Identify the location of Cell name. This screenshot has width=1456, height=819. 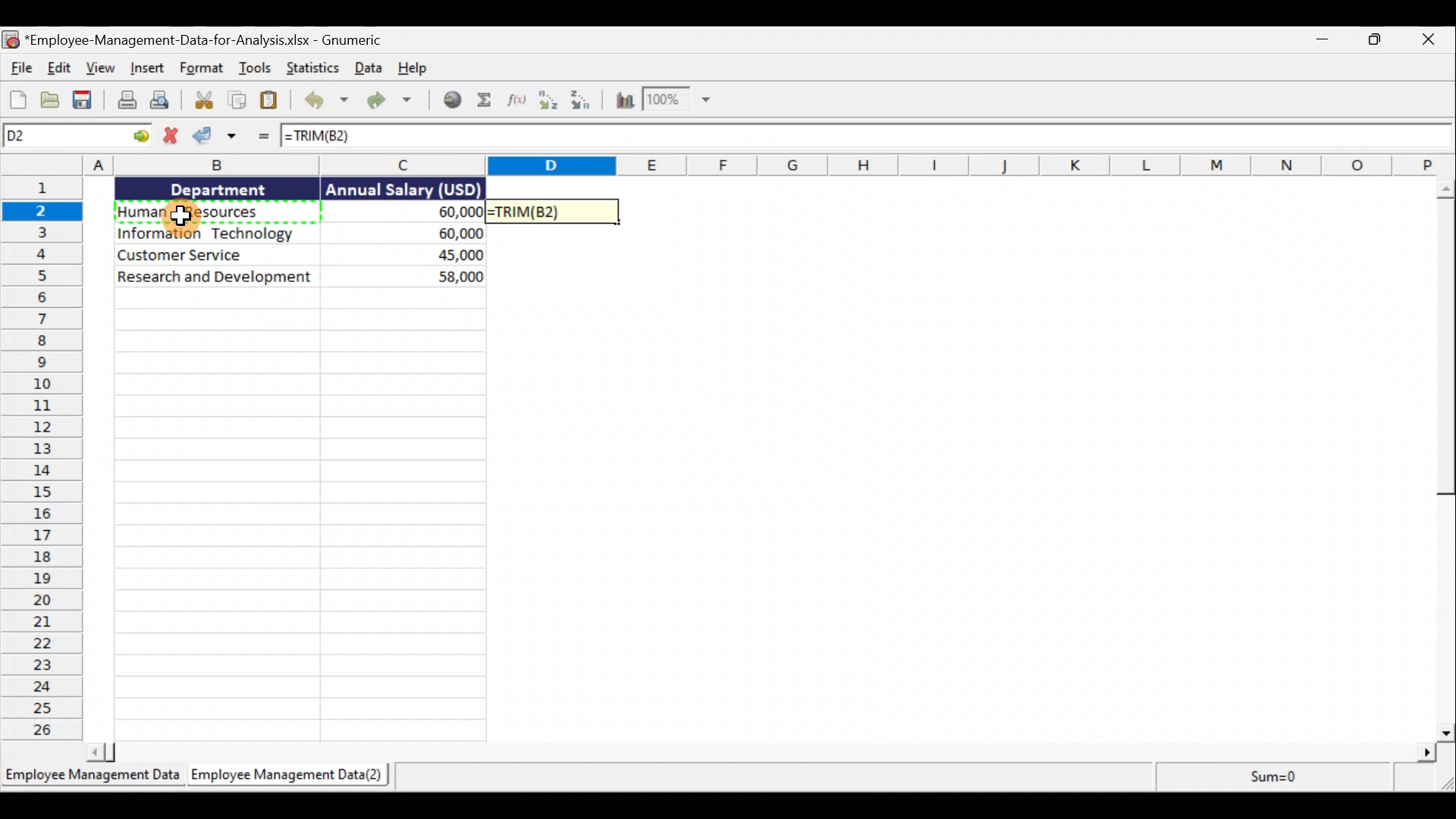
(78, 136).